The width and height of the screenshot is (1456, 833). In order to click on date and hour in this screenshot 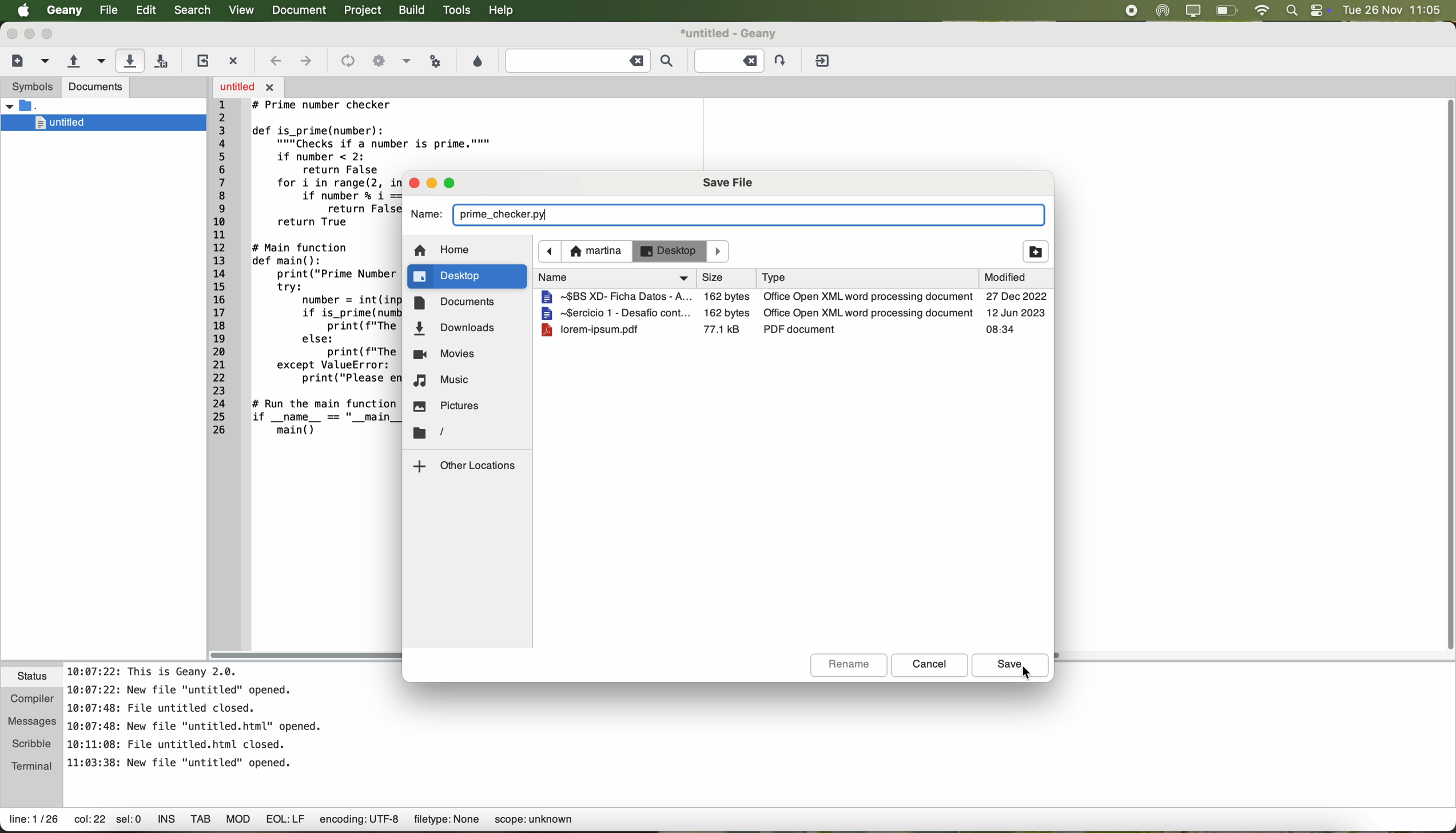, I will do `click(1397, 10)`.